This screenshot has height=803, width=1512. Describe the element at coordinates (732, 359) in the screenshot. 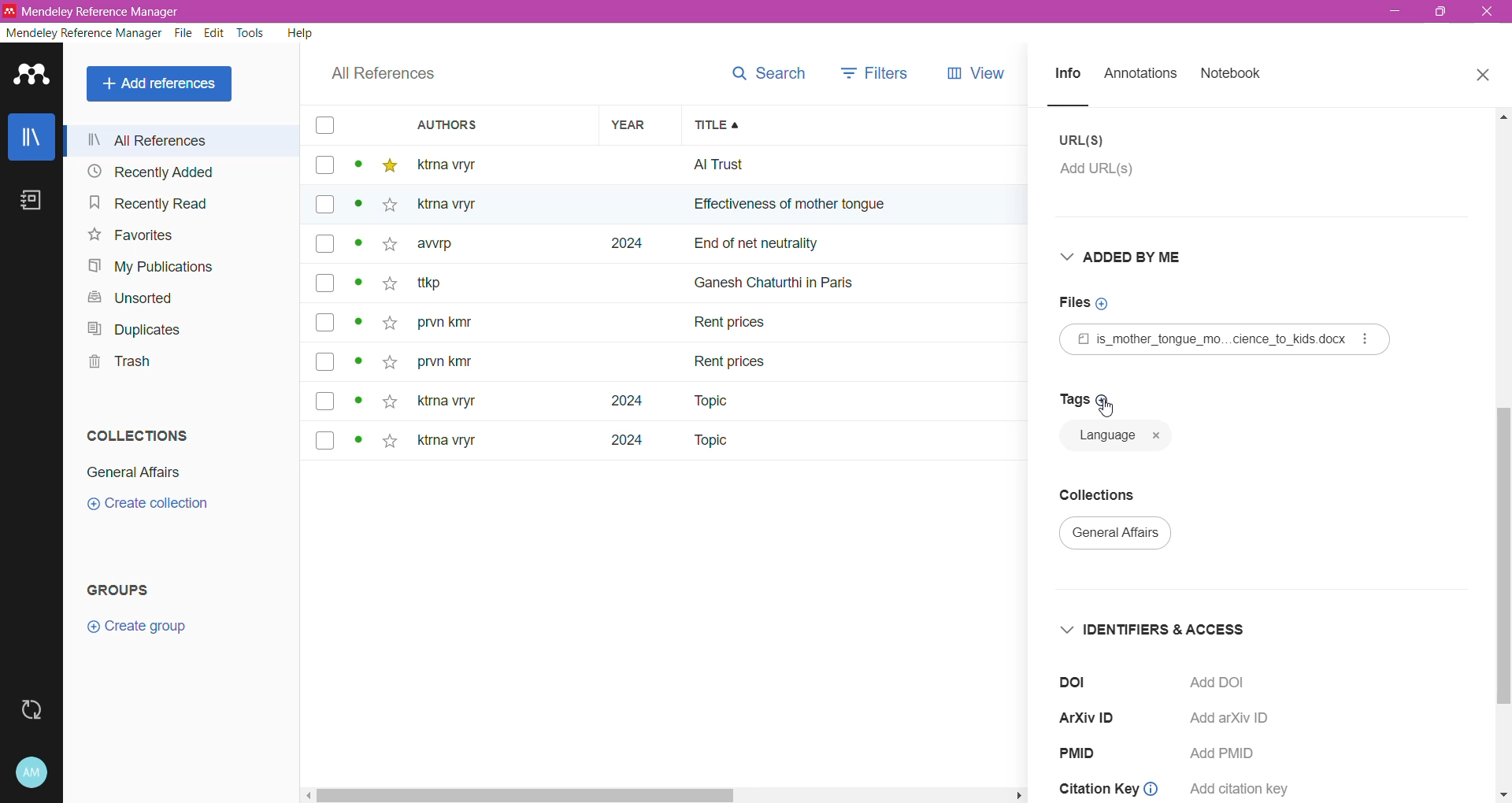

I see `rent prices ` at that location.